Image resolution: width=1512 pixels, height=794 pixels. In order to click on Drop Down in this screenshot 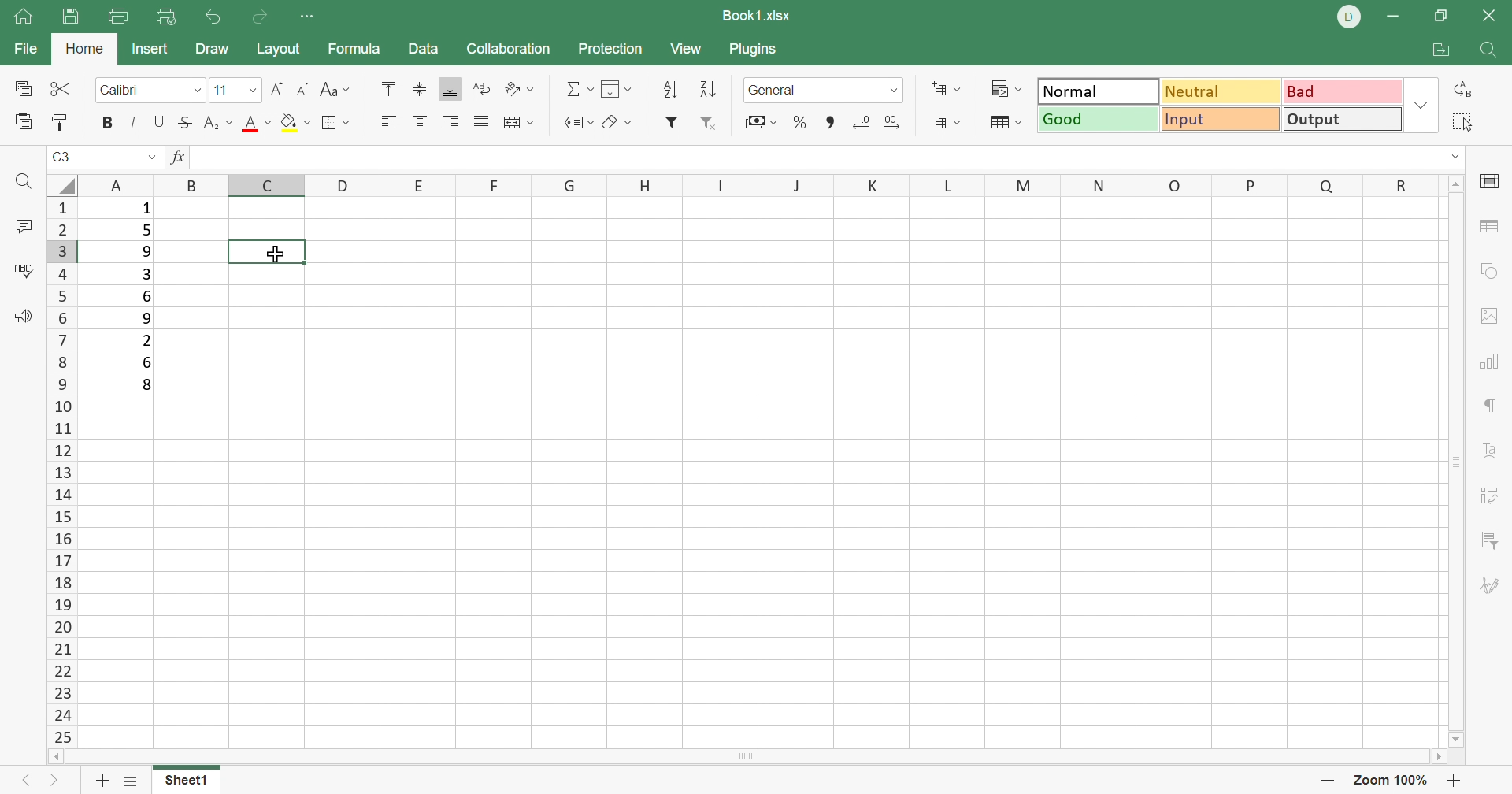, I will do `click(1458, 156)`.